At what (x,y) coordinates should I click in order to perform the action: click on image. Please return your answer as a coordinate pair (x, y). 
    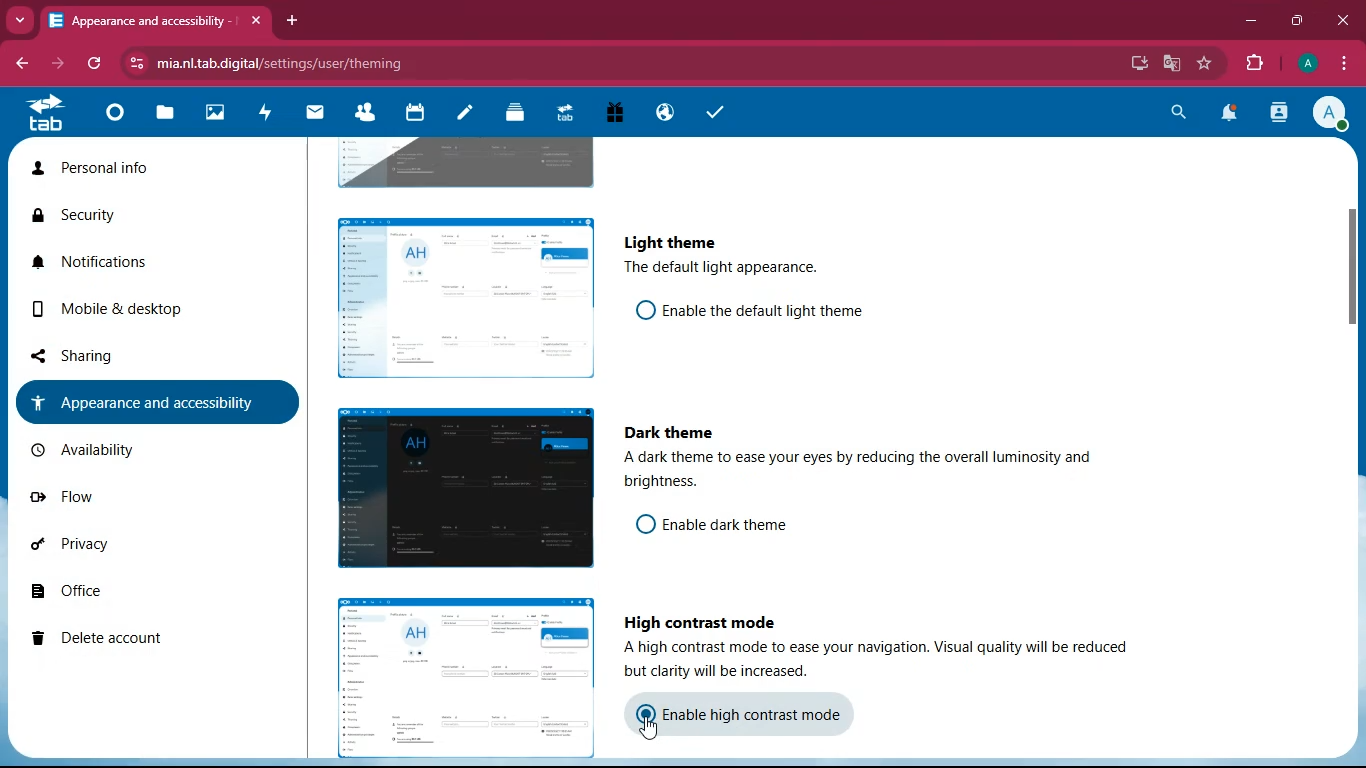
    Looking at the image, I should click on (464, 161).